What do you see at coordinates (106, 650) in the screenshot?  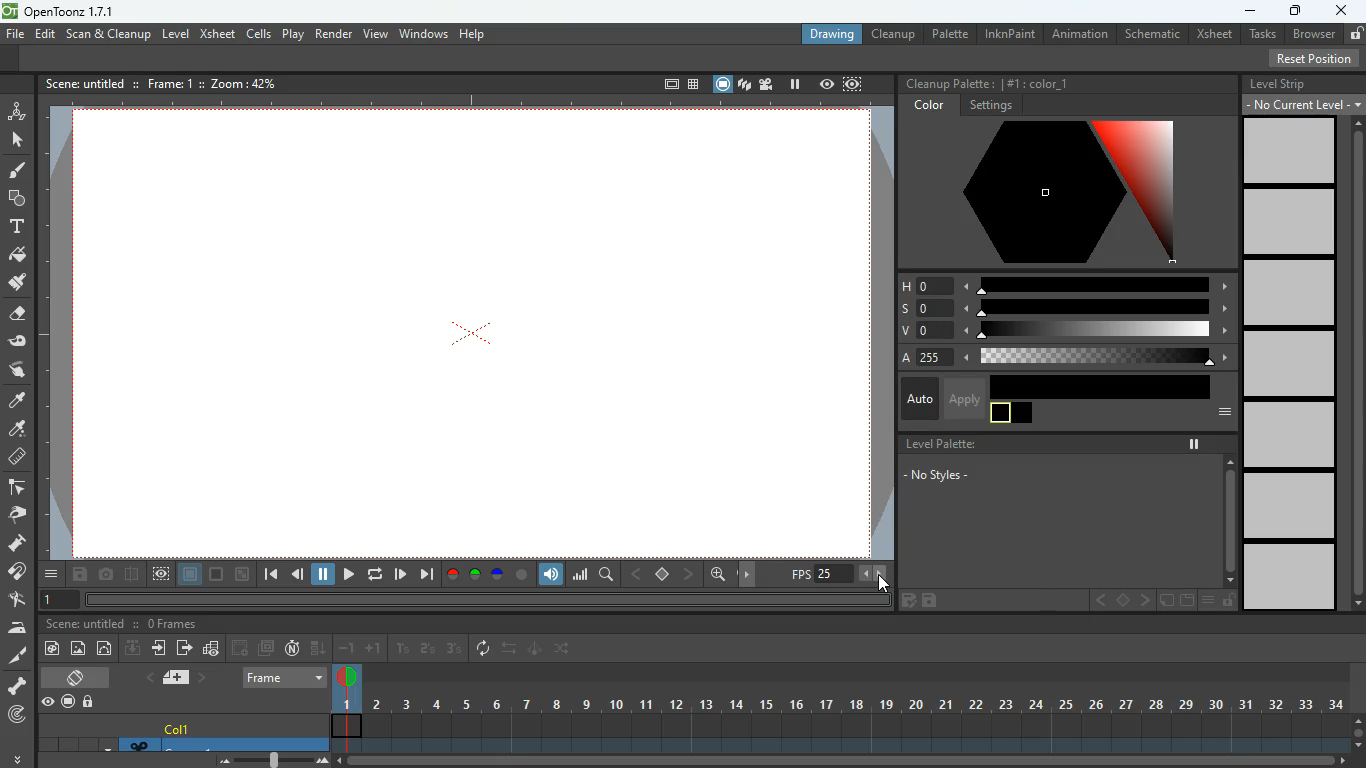 I see `edit` at bounding box center [106, 650].